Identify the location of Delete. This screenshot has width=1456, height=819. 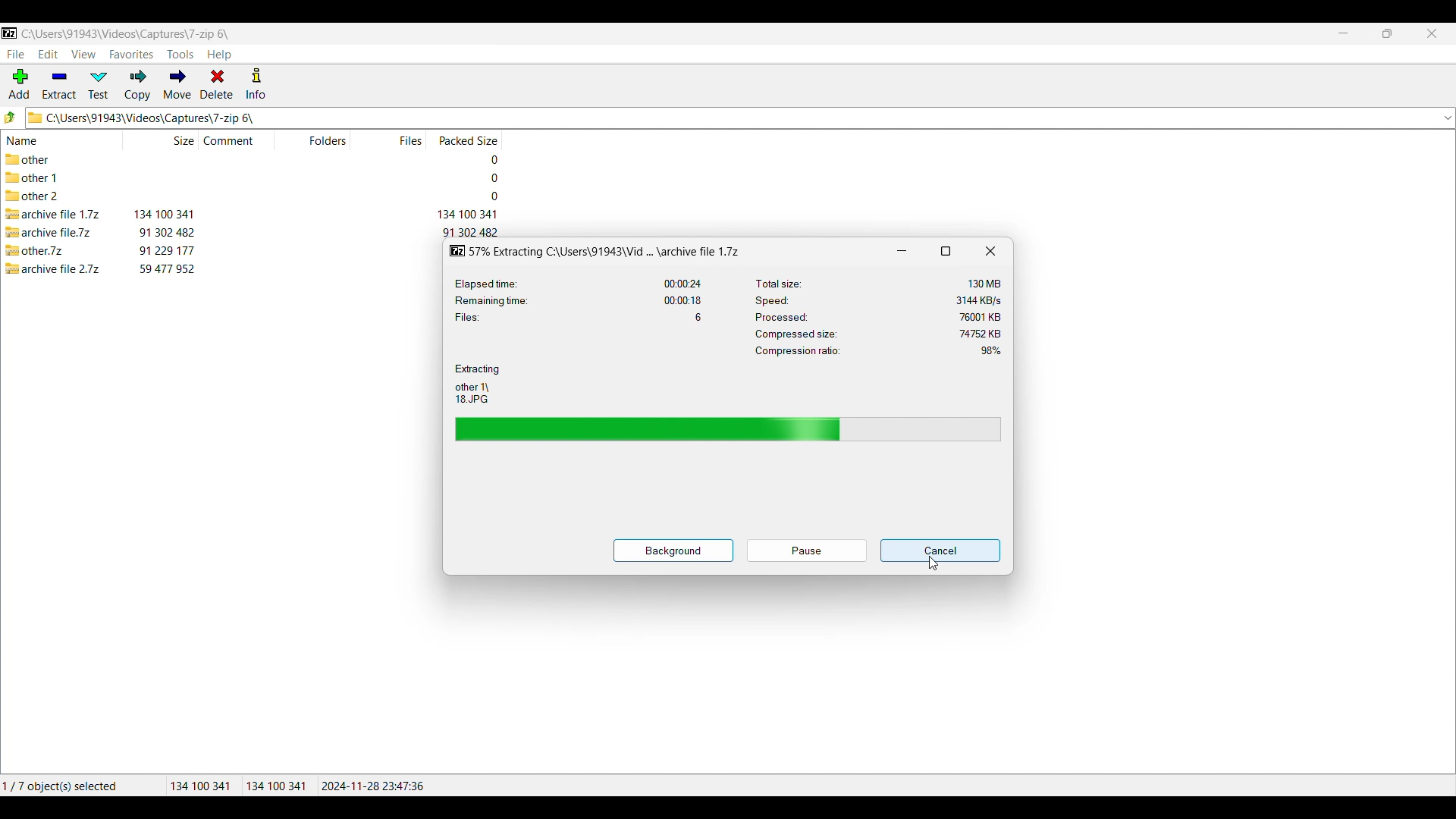
(217, 83).